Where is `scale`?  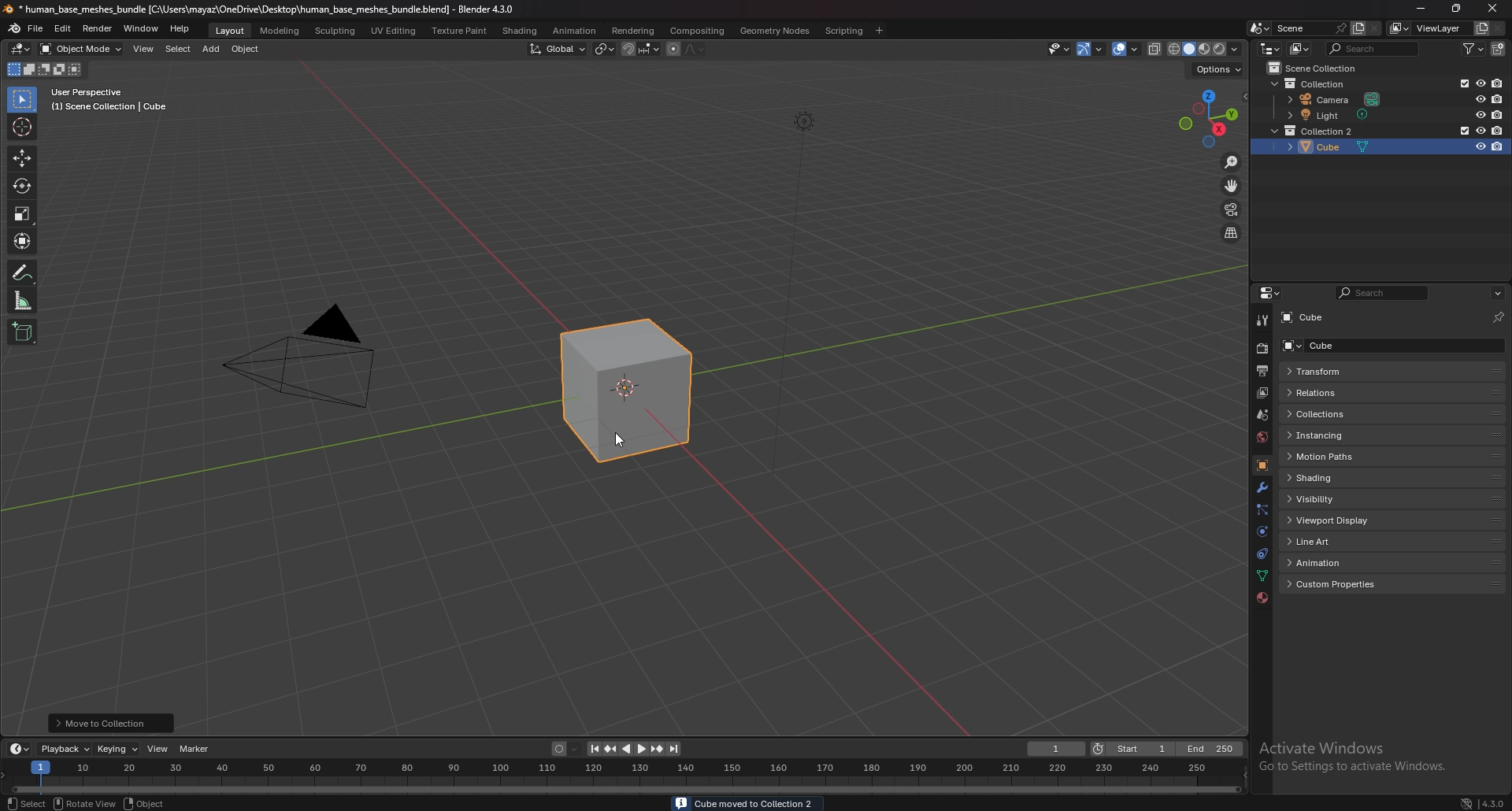 scale is located at coordinates (24, 214).